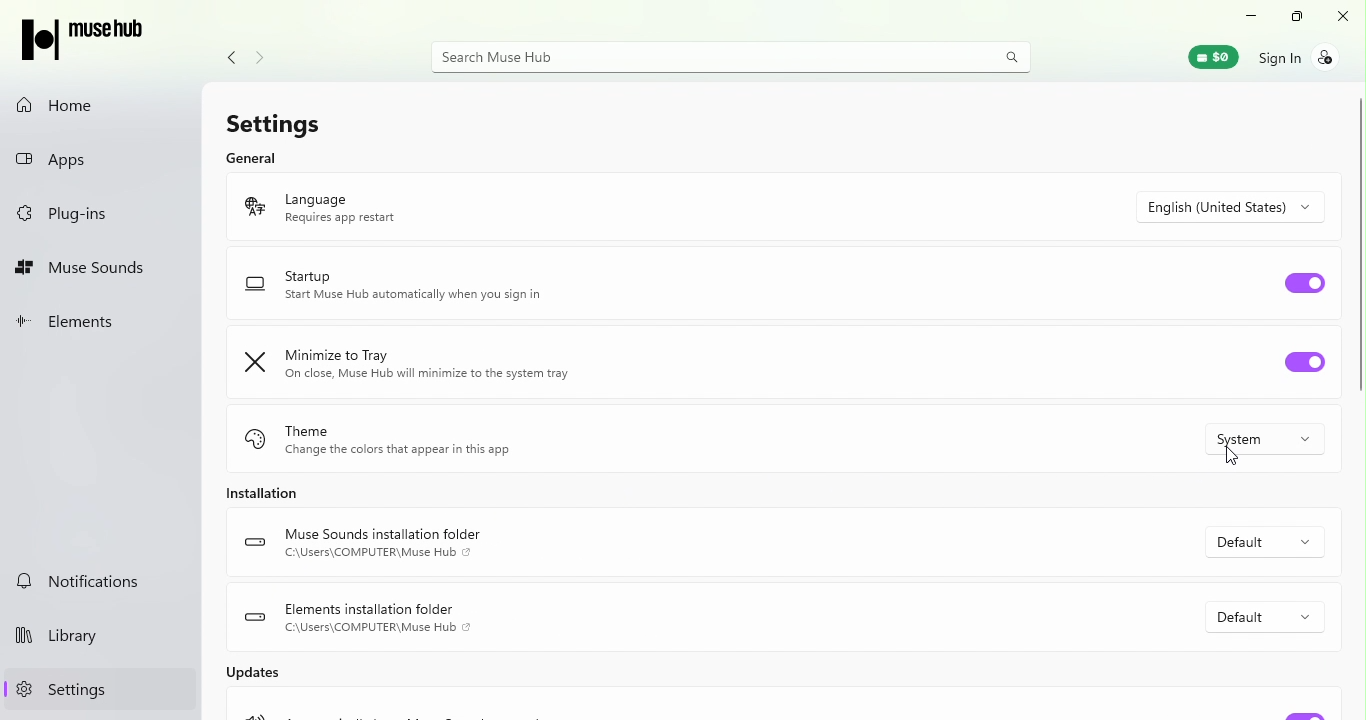 The width and height of the screenshot is (1366, 720). I want to click on Minimize to tray, so click(447, 365).